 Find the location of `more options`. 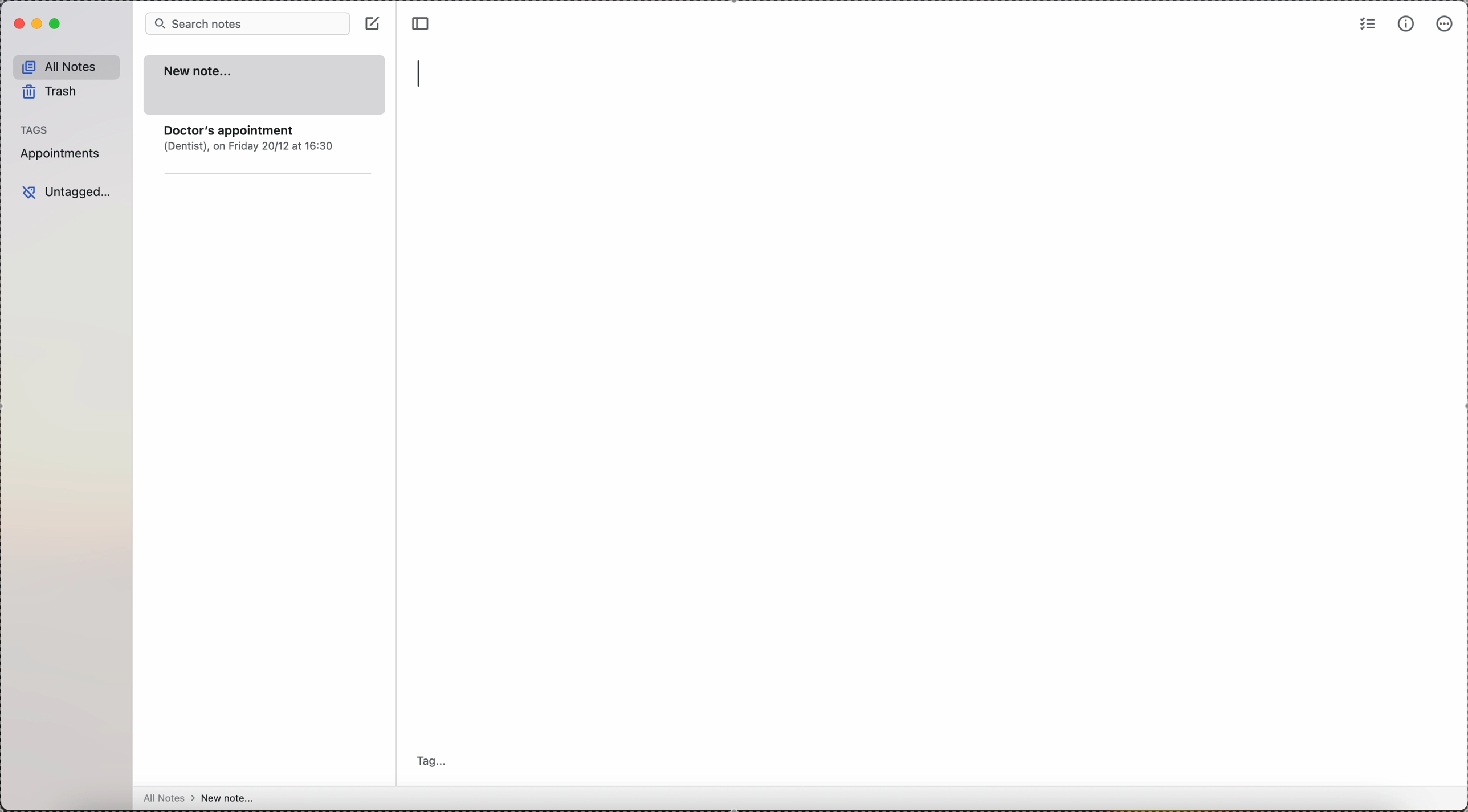

more options is located at coordinates (1443, 25).